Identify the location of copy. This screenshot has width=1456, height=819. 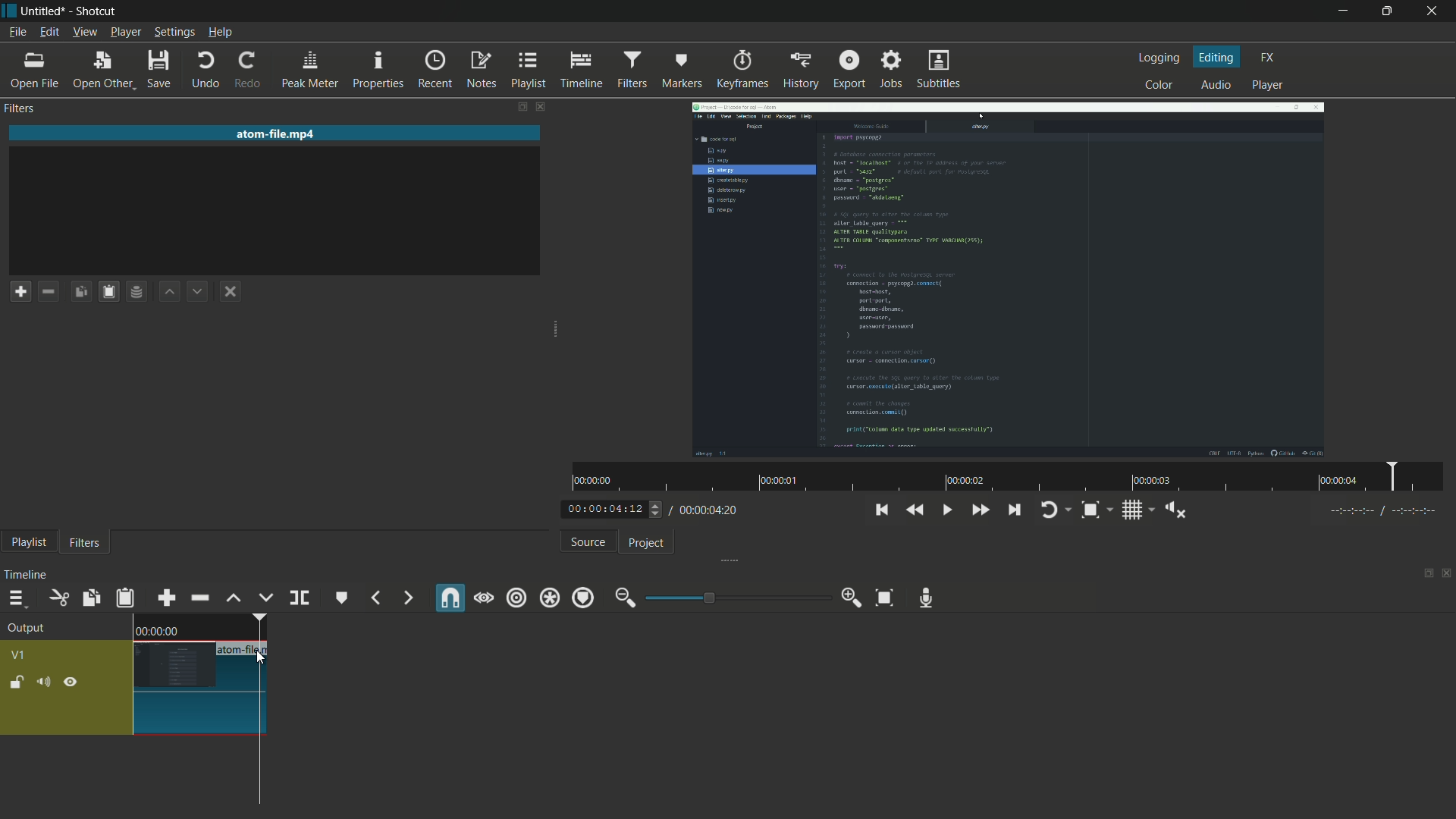
(88, 598).